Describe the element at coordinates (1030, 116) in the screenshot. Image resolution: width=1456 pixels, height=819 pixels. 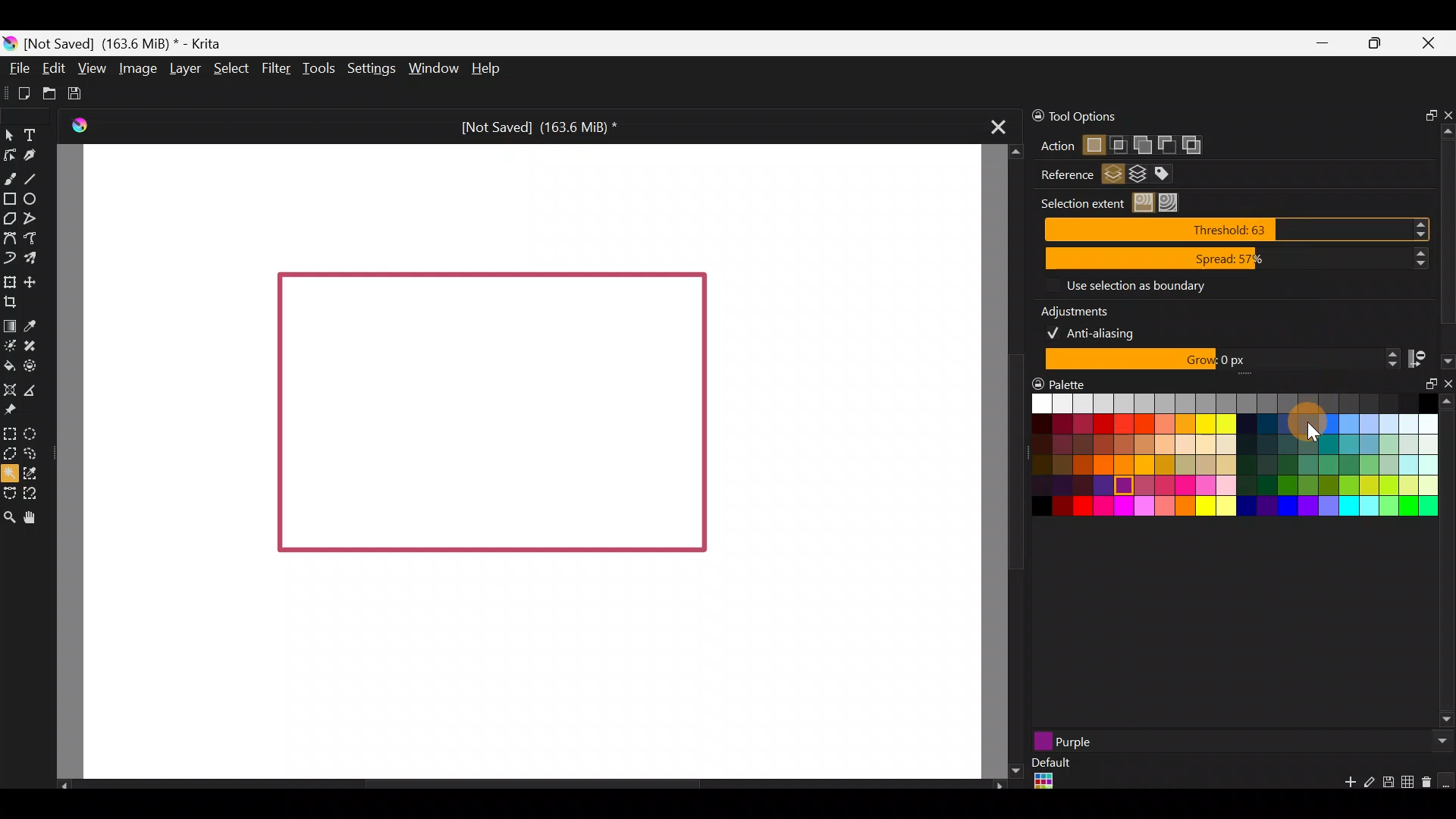
I see `Lock docker` at that location.